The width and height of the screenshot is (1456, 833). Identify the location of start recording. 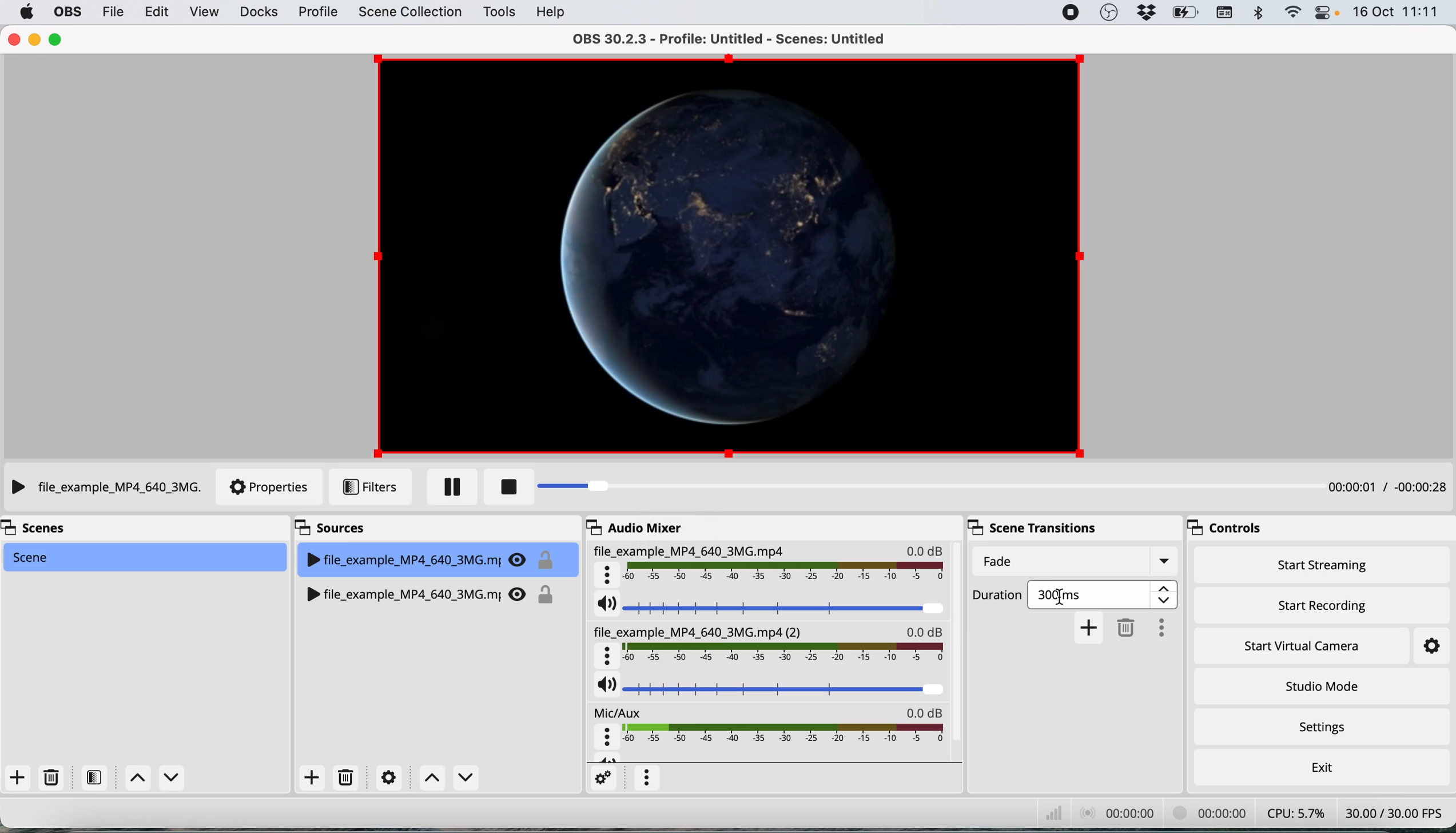
(1319, 605).